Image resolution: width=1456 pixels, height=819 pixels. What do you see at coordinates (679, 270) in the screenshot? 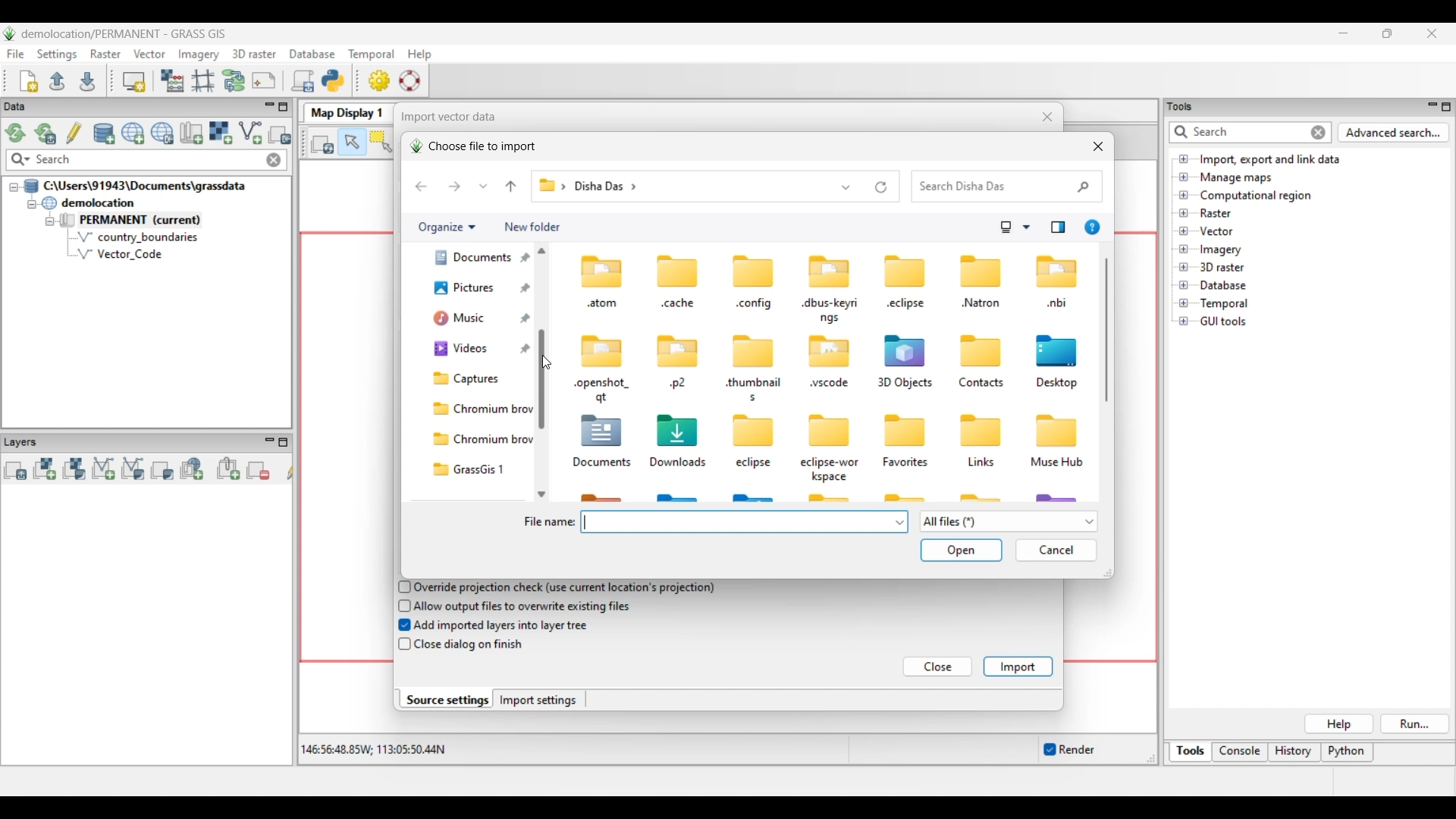
I see `icon` at bounding box center [679, 270].